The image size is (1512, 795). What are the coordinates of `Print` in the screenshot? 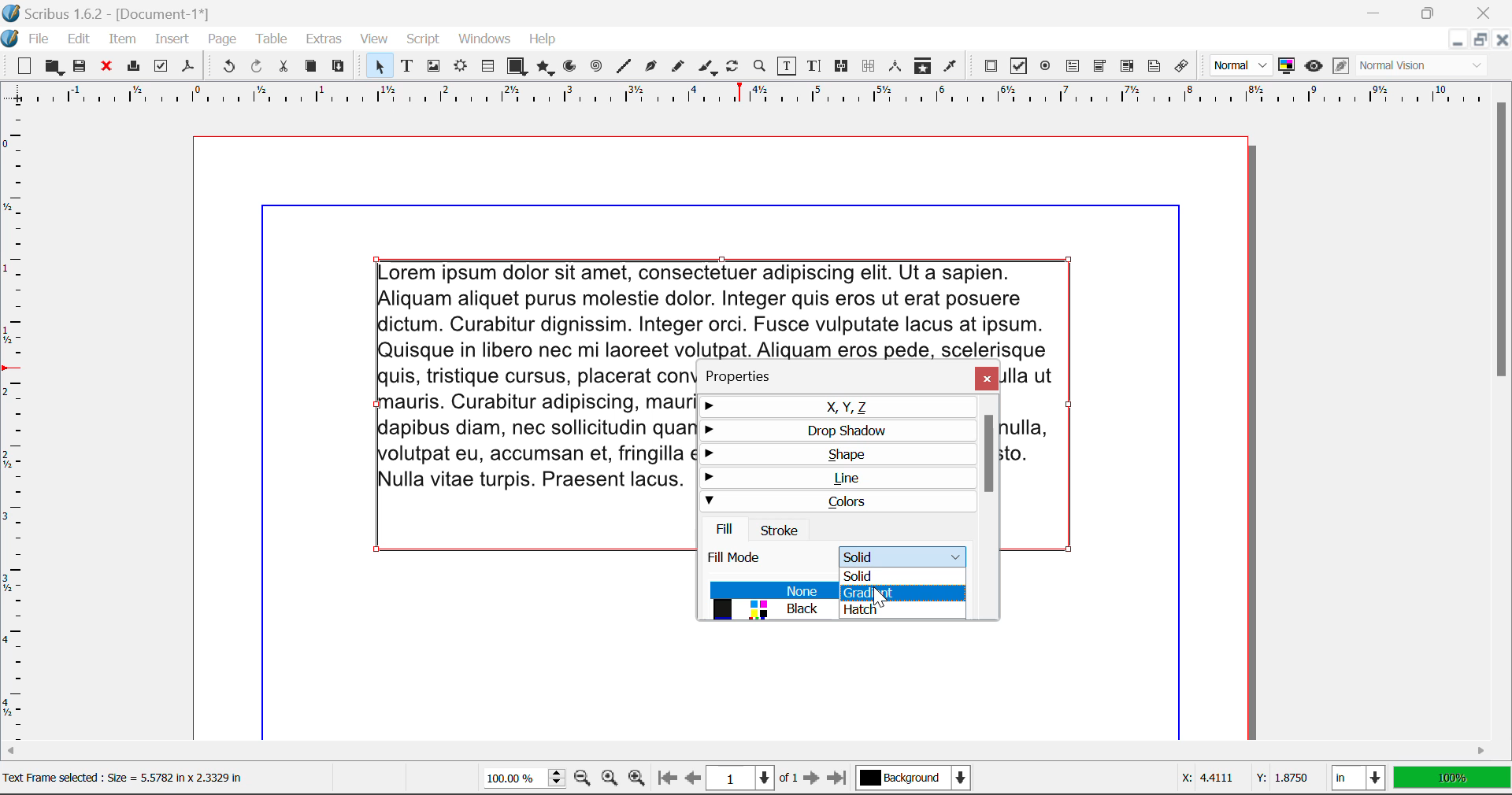 It's located at (132, 66).